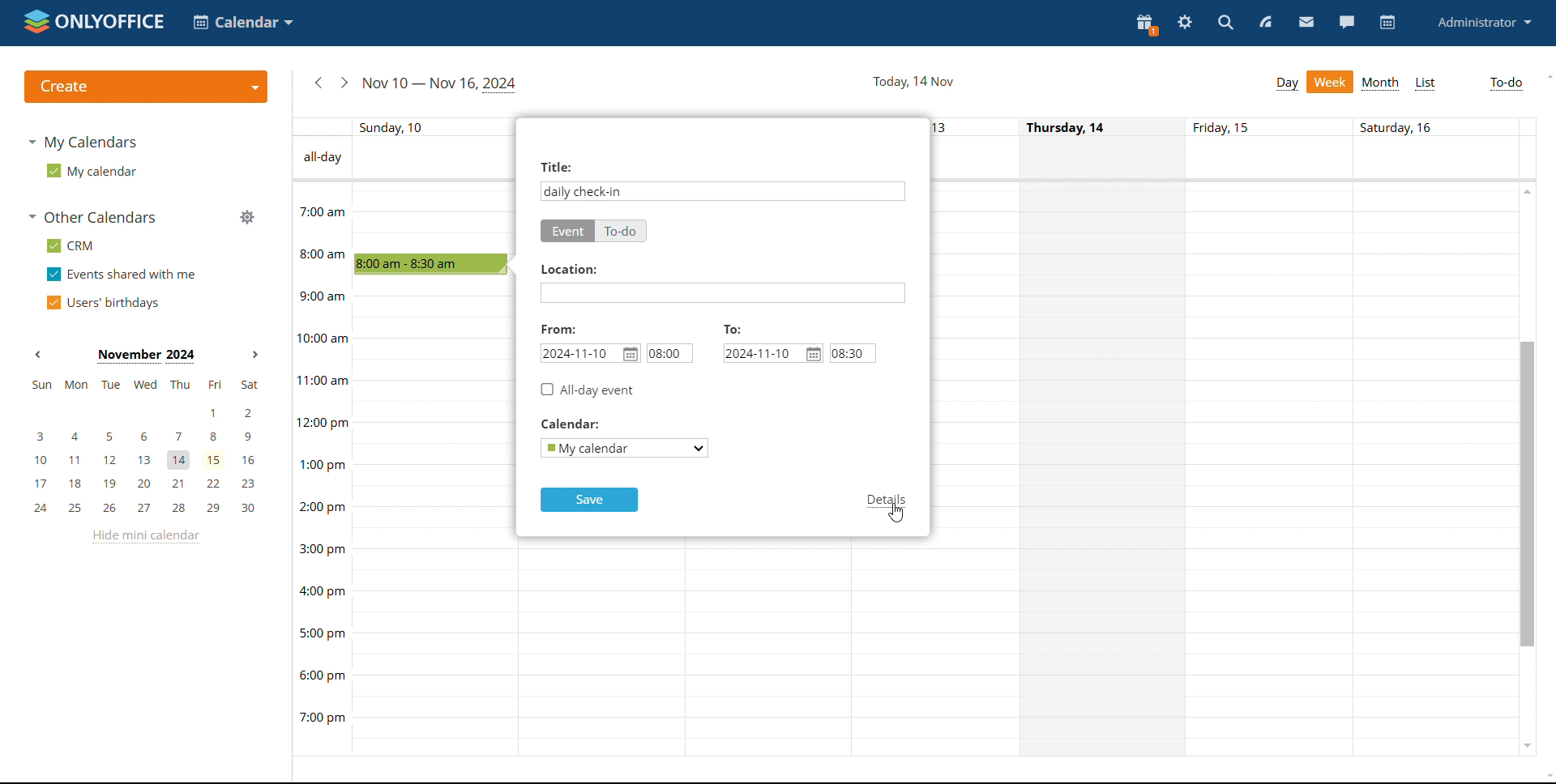  Describe the element at coordinates (1525, 492) in the screenshot. I see `scroll bar` at that location.